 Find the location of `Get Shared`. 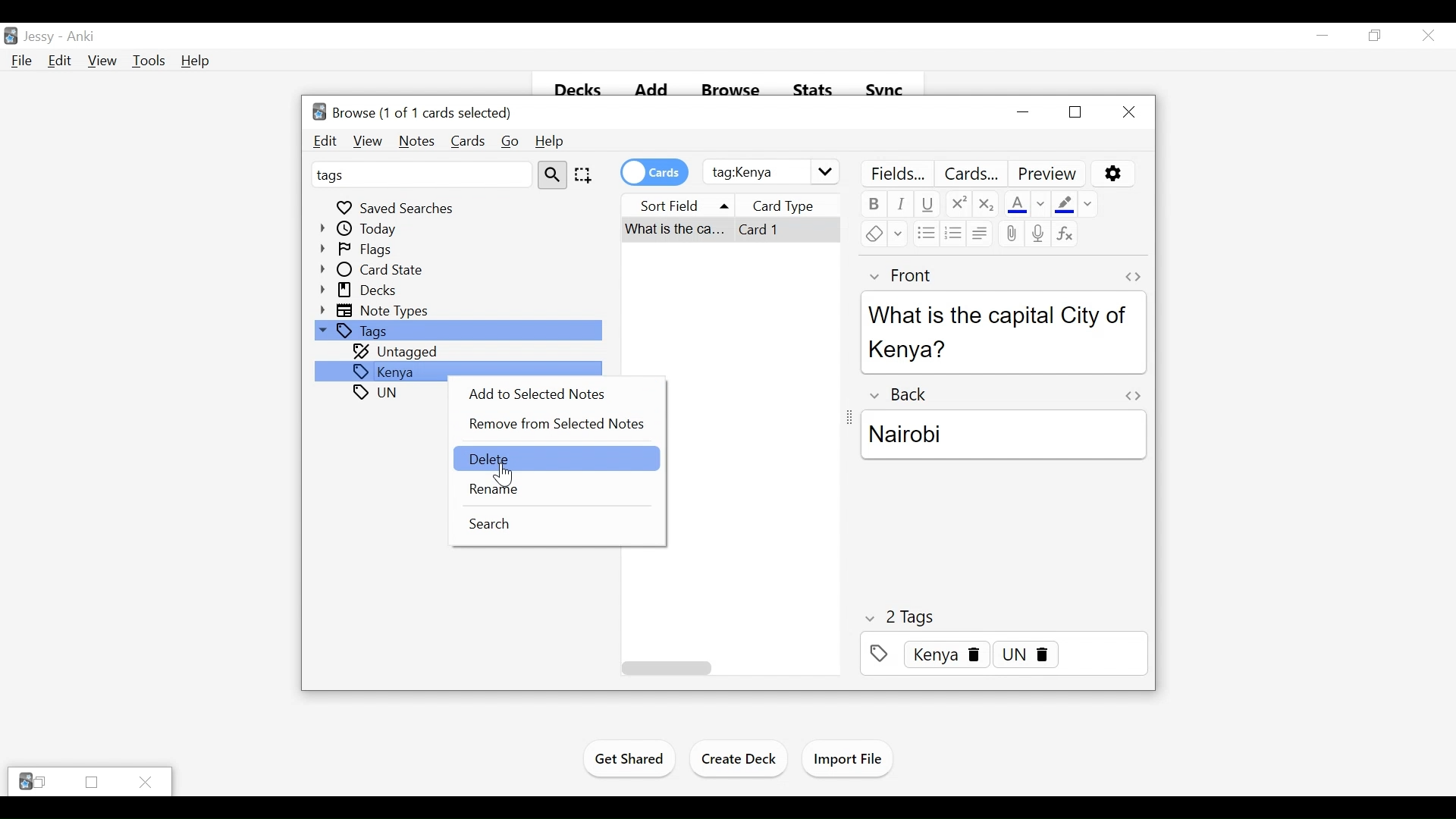

Get Shared is located at coordinates (629, 761).